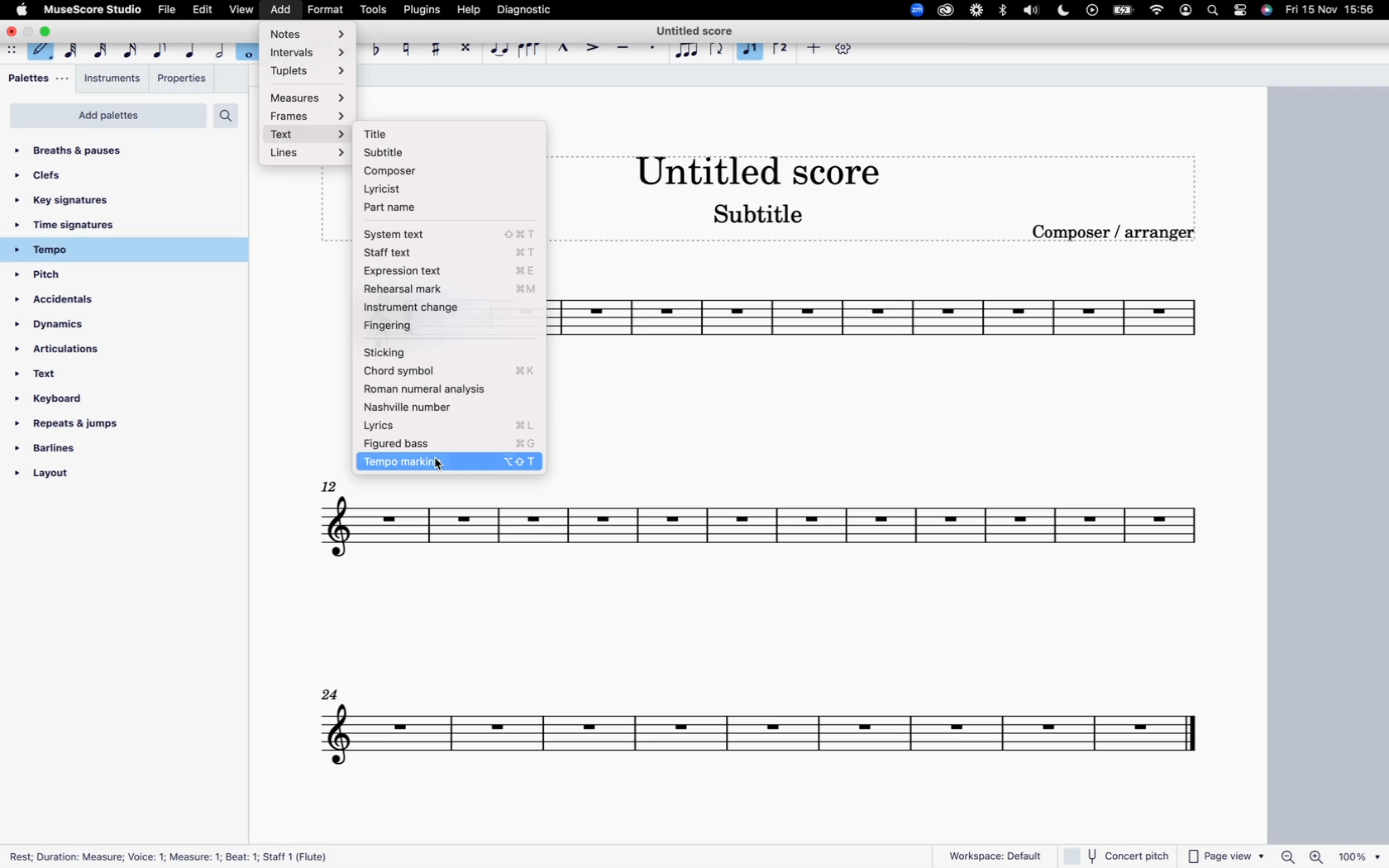 The width and height of the screenshot is (1389, 868). What do you see at coordinates (12, 32) in the screenshot?
I see `close` at bounding box center [12, 32].